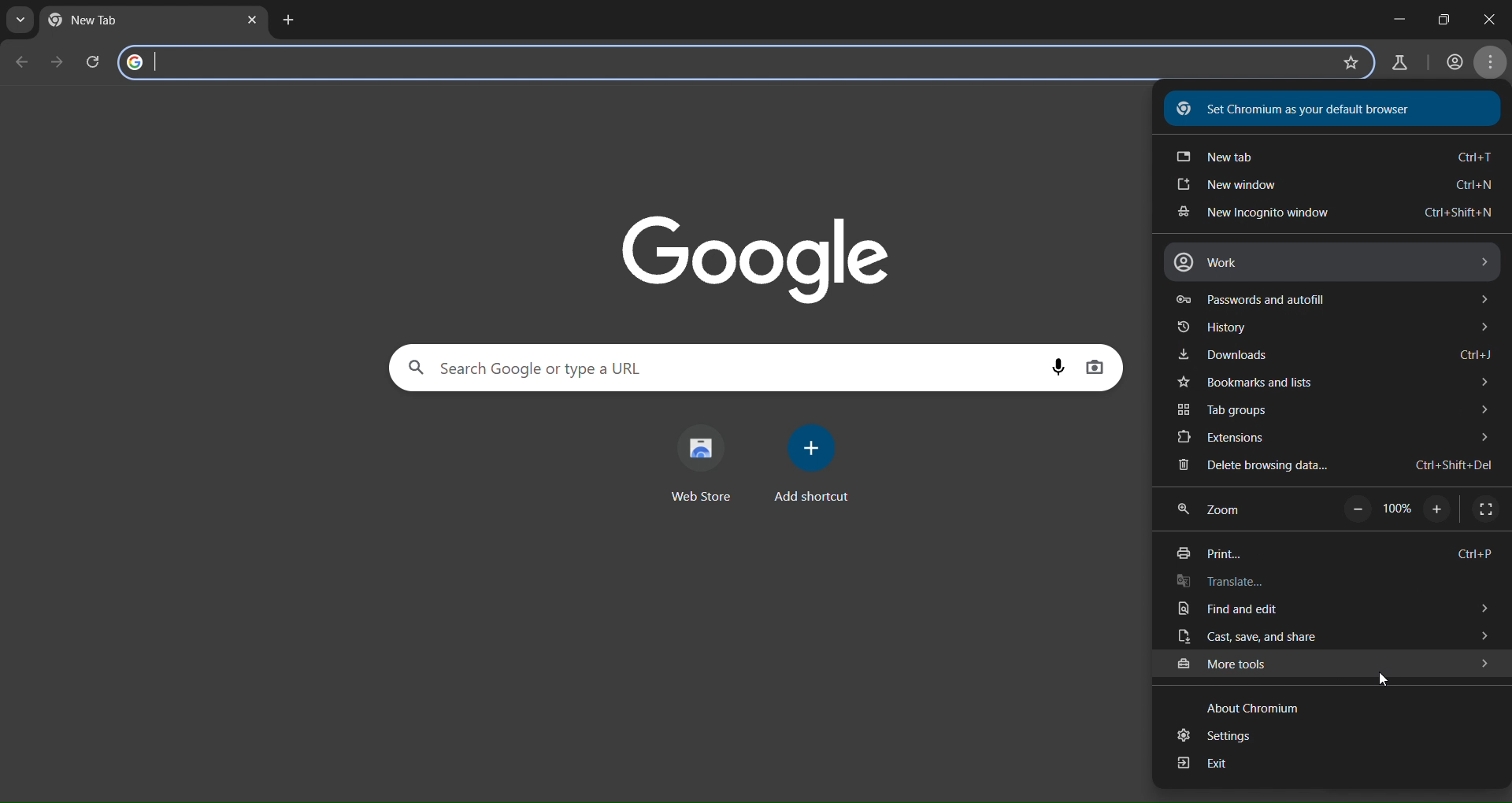  What do you see at coordinates (1335, 357) in the screenshot?
I see `downloads` at bounding box center [1335, 357].